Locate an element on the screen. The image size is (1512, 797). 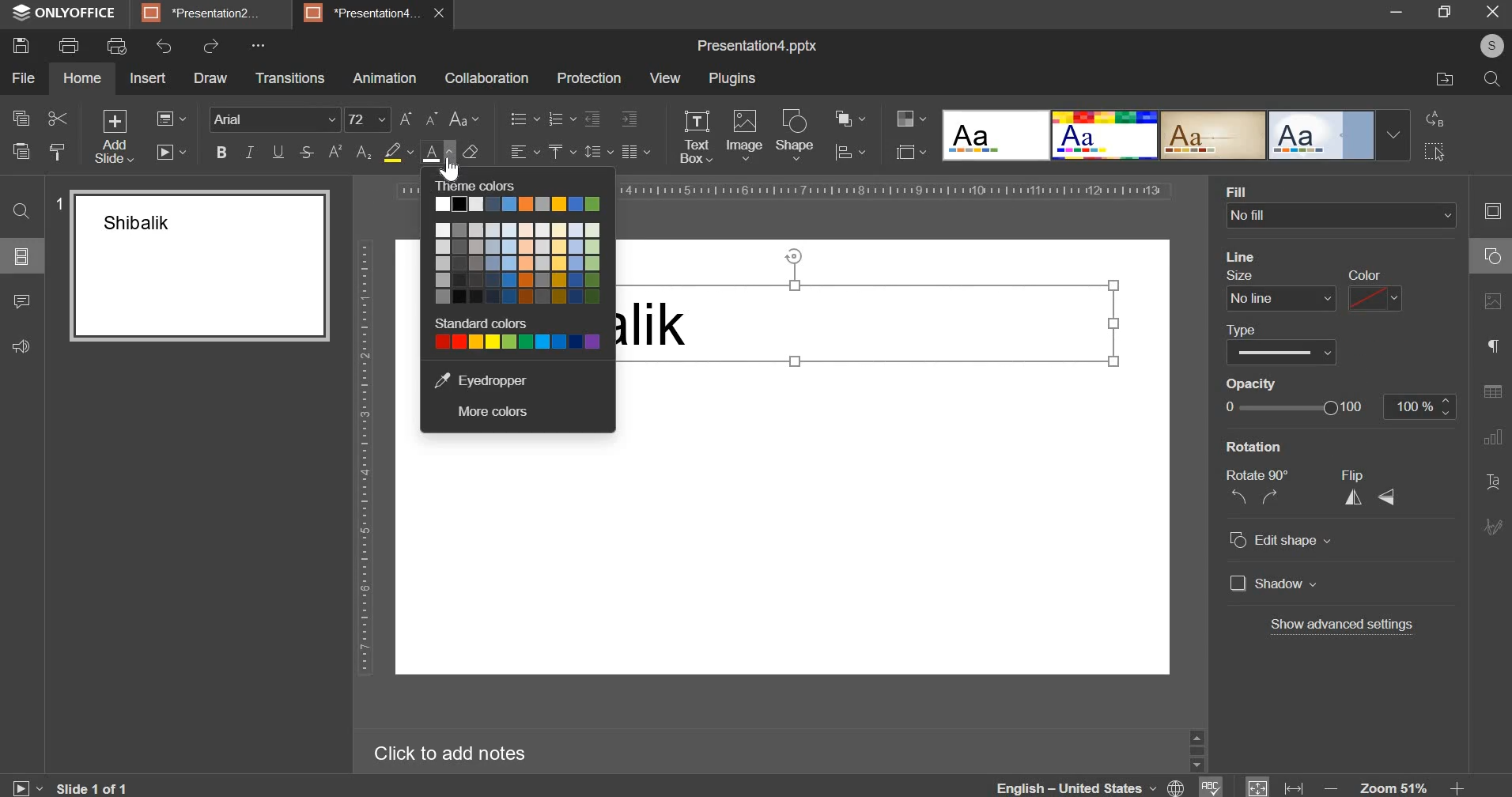
design is located at coordinates (1172, 137).